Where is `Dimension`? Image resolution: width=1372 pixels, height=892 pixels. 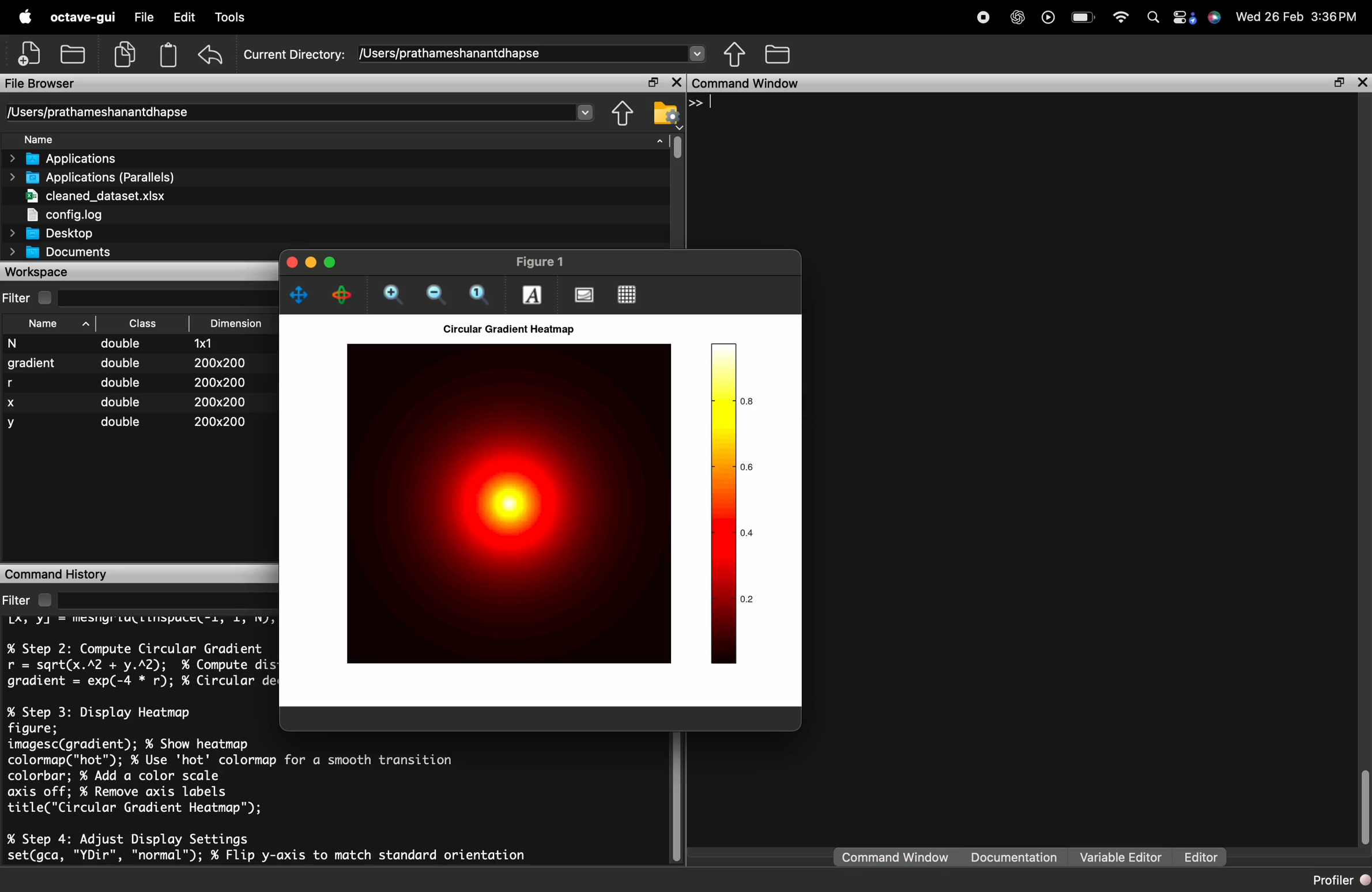 Dimension is located at coordinates (233, 324).